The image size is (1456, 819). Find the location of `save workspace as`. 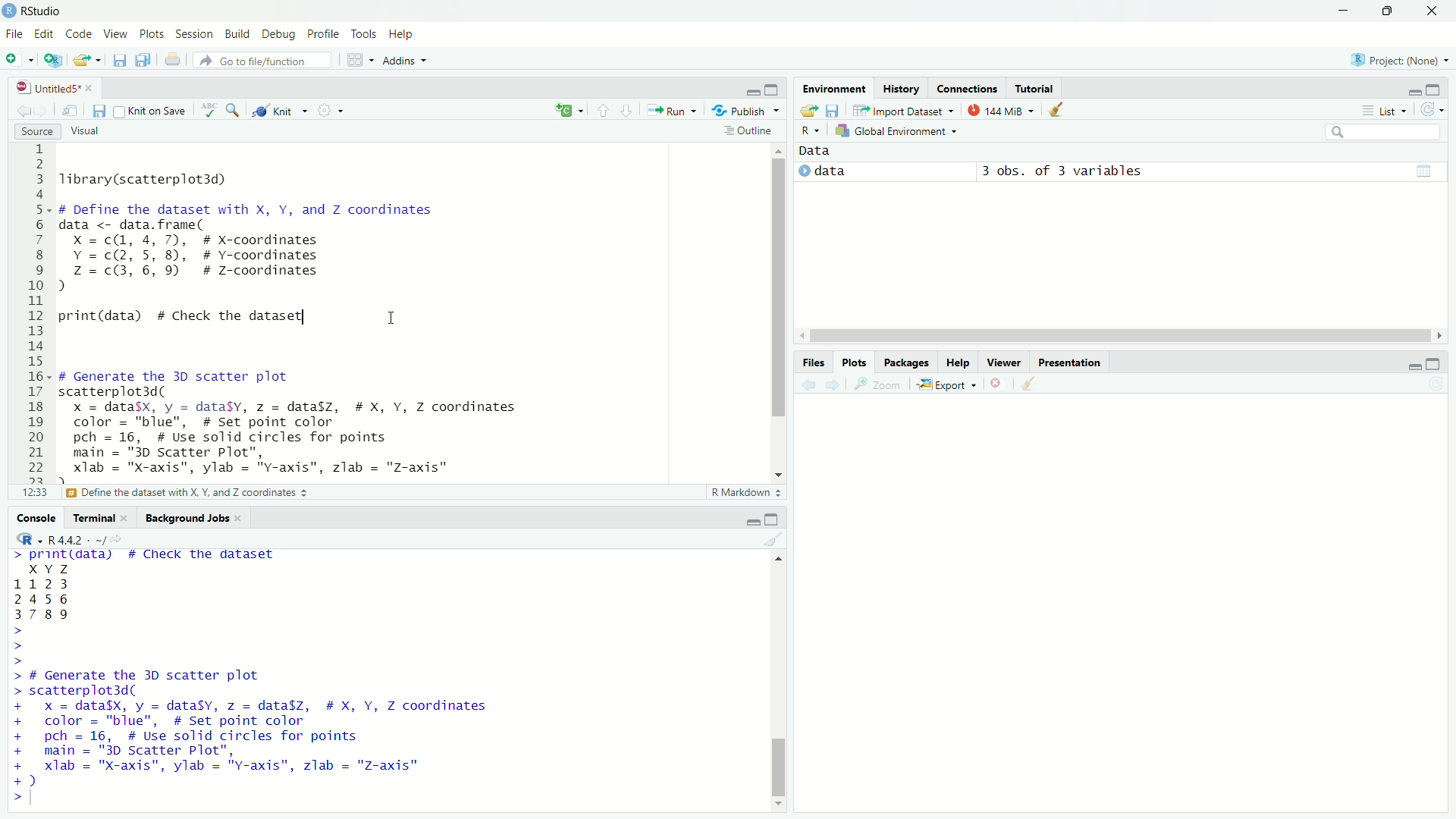

save workspace as is located at coordinates (835, 111).